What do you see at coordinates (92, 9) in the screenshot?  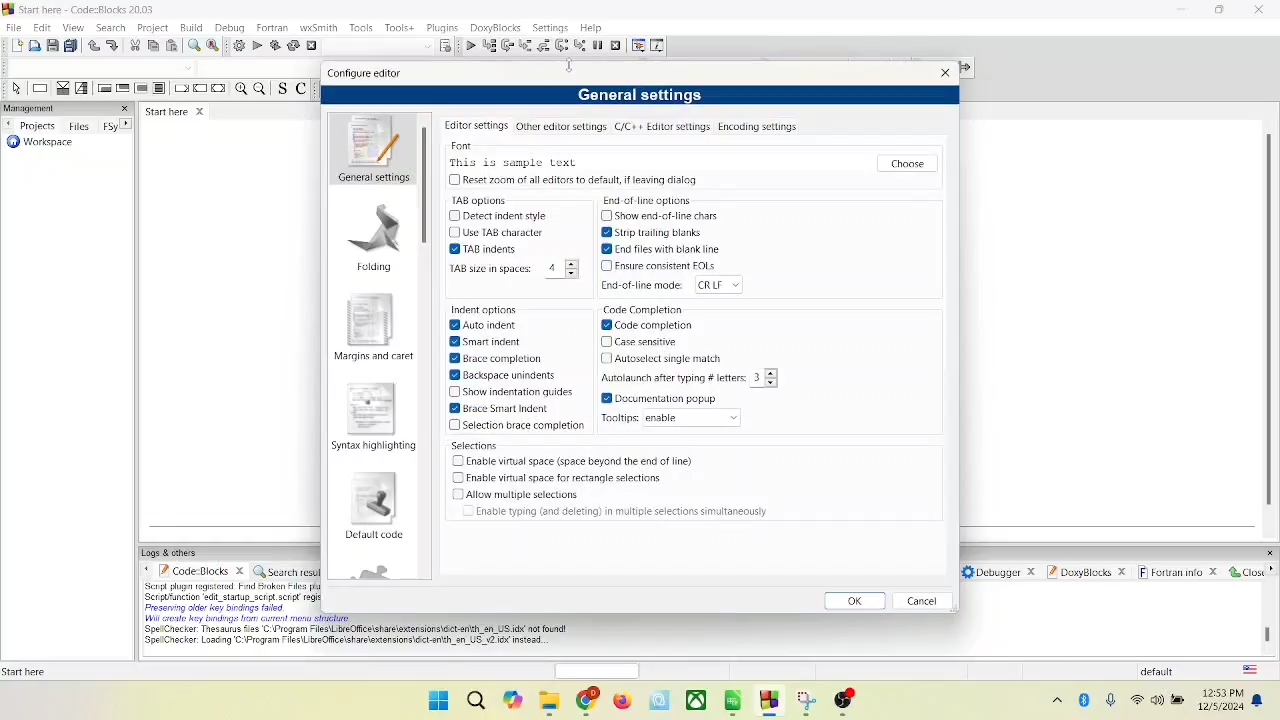 I see `code::block` at bounding box center [92, 9].